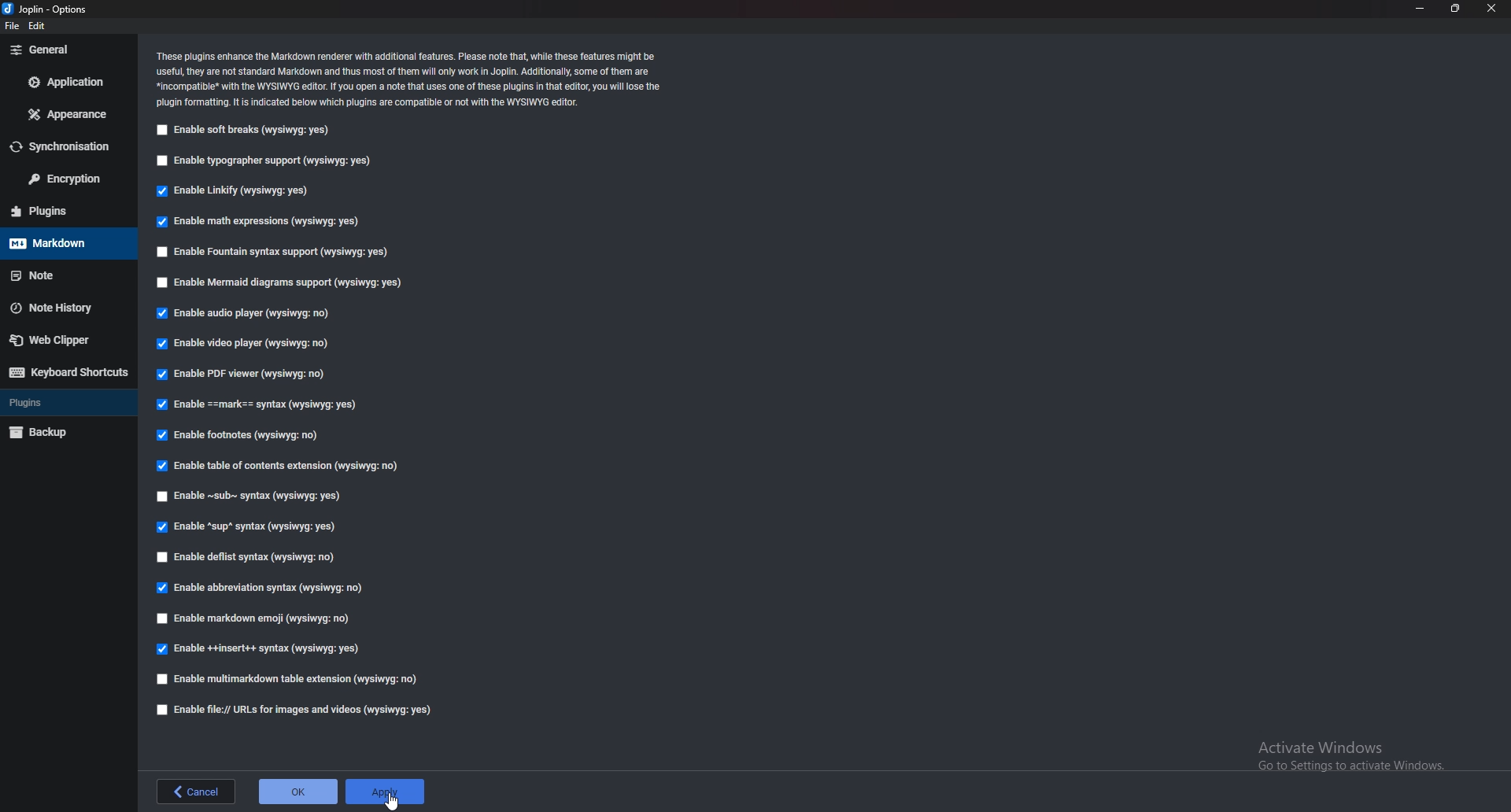 This screenshot has height=812, width=1511. What do you see at coordinates (68, 146) in the screenshot?
I see `Synchronization` at bounding box center [68, 146].